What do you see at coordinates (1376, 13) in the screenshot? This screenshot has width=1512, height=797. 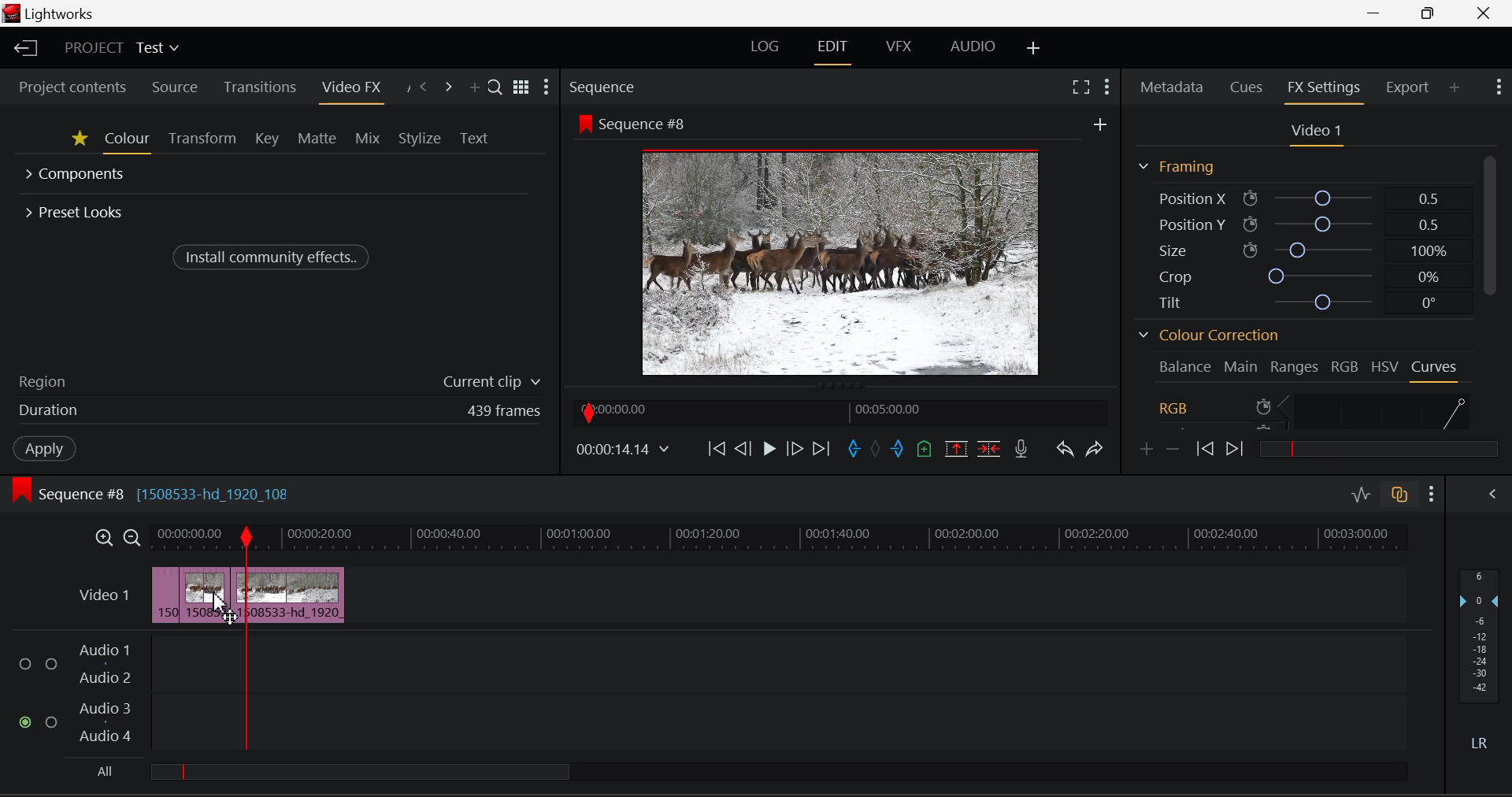 I see `Restore Down` at bounding box center [1376, 13].